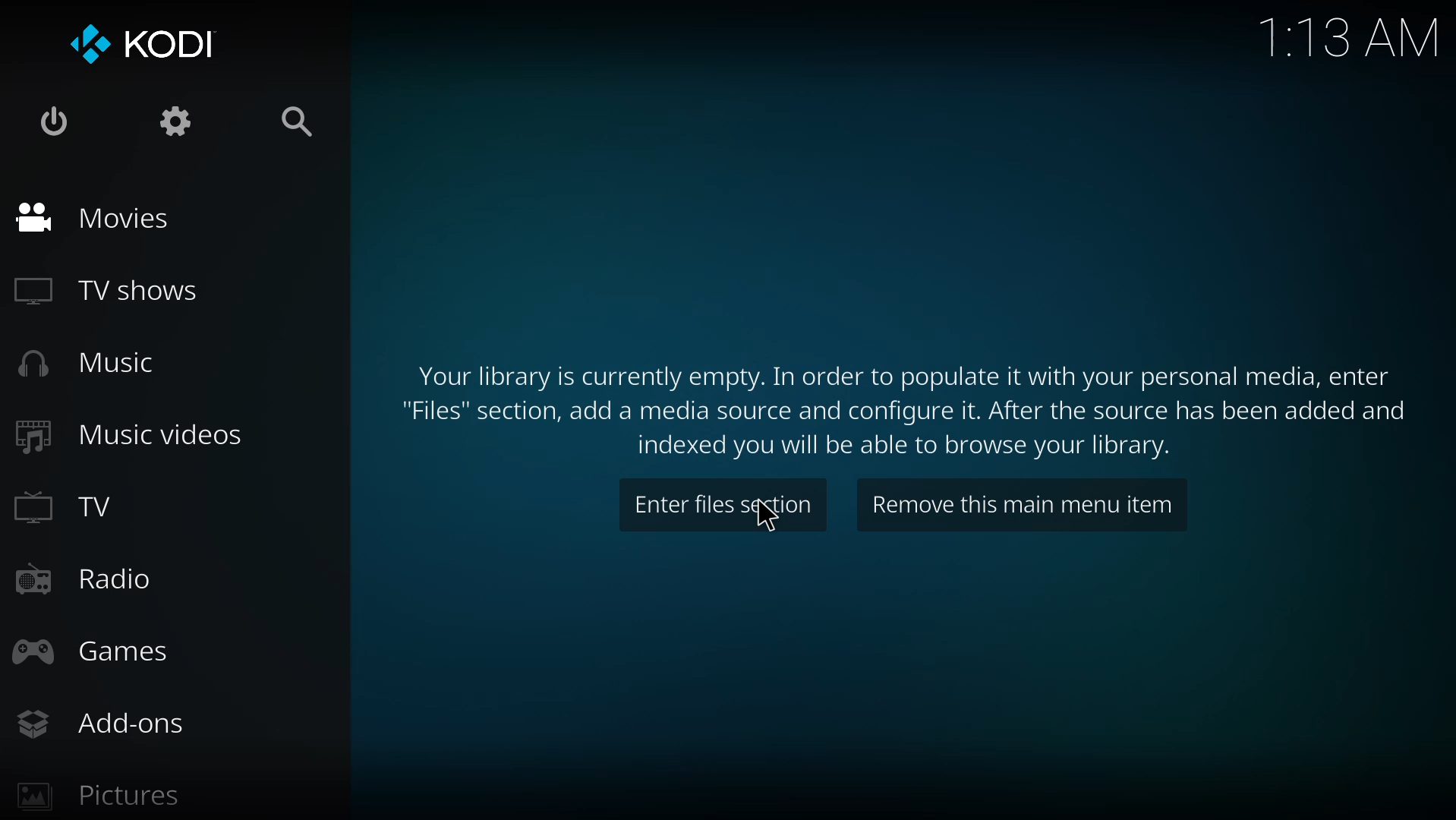  What do you see at coordinates (770, 520) in the screenshot?
I see `cursor` at bounding box center [770, 520].